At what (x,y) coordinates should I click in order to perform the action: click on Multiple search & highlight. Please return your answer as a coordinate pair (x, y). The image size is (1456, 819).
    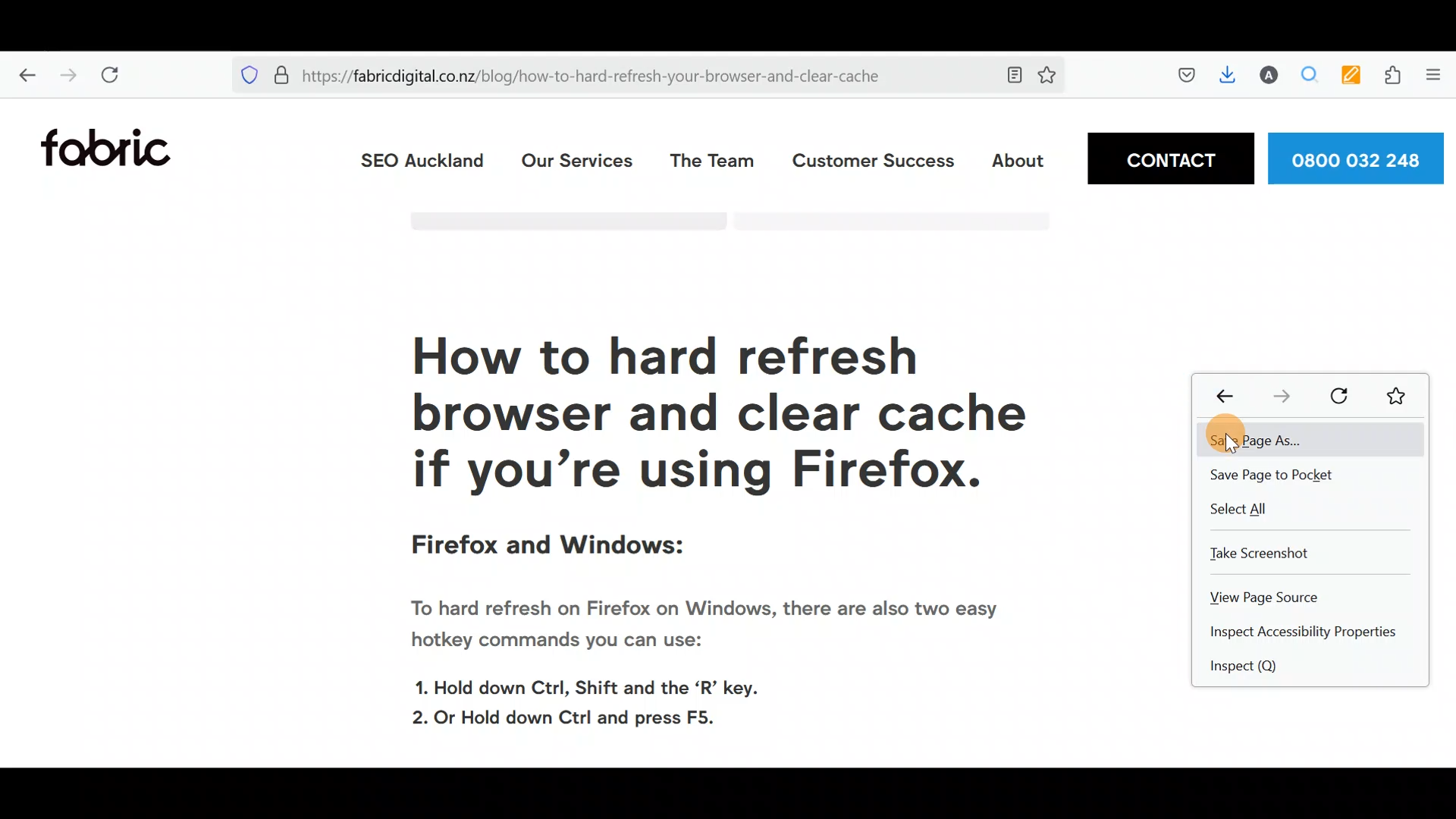
    Looking at the image, I should click on (1310, 78).